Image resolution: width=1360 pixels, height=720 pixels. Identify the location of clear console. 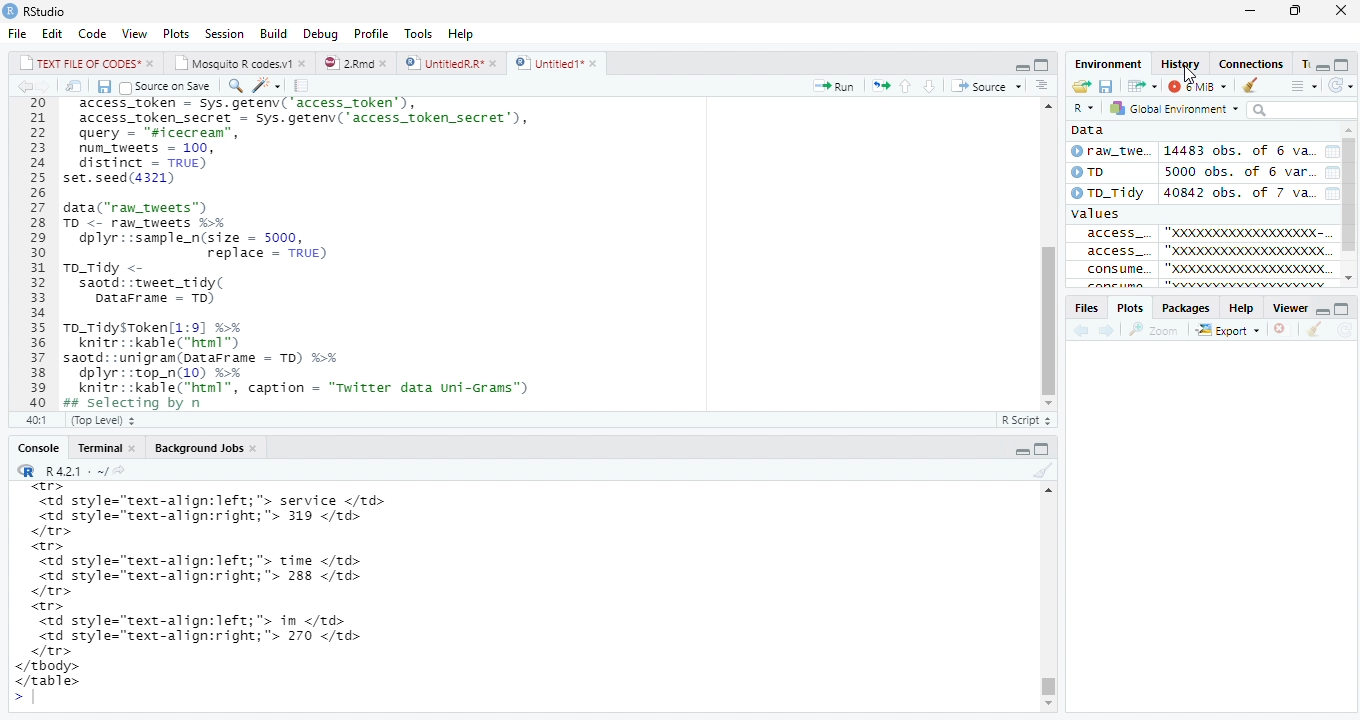
(1316, 330).